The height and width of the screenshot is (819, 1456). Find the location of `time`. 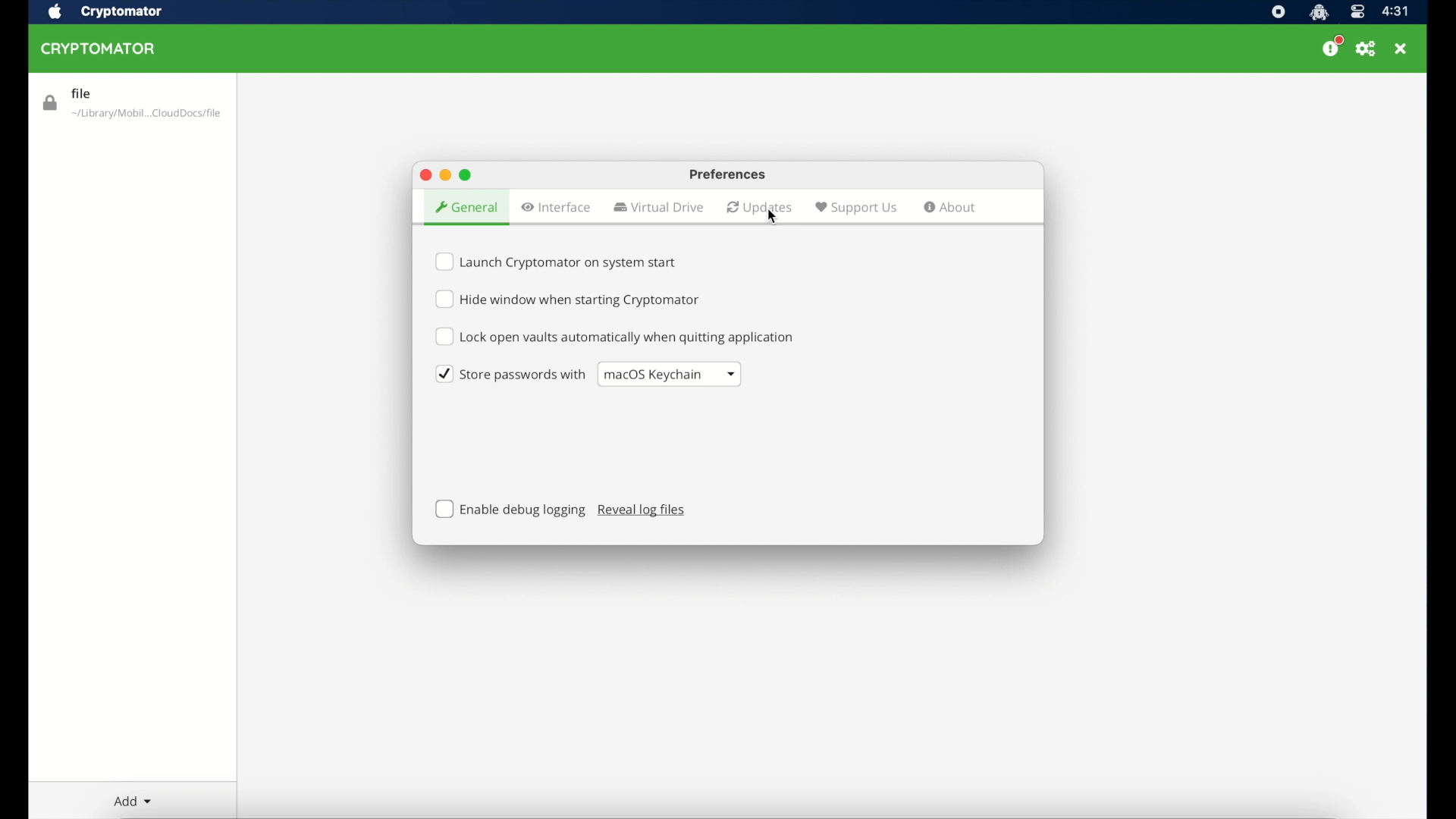

time is located at coordinates (1397, 12).